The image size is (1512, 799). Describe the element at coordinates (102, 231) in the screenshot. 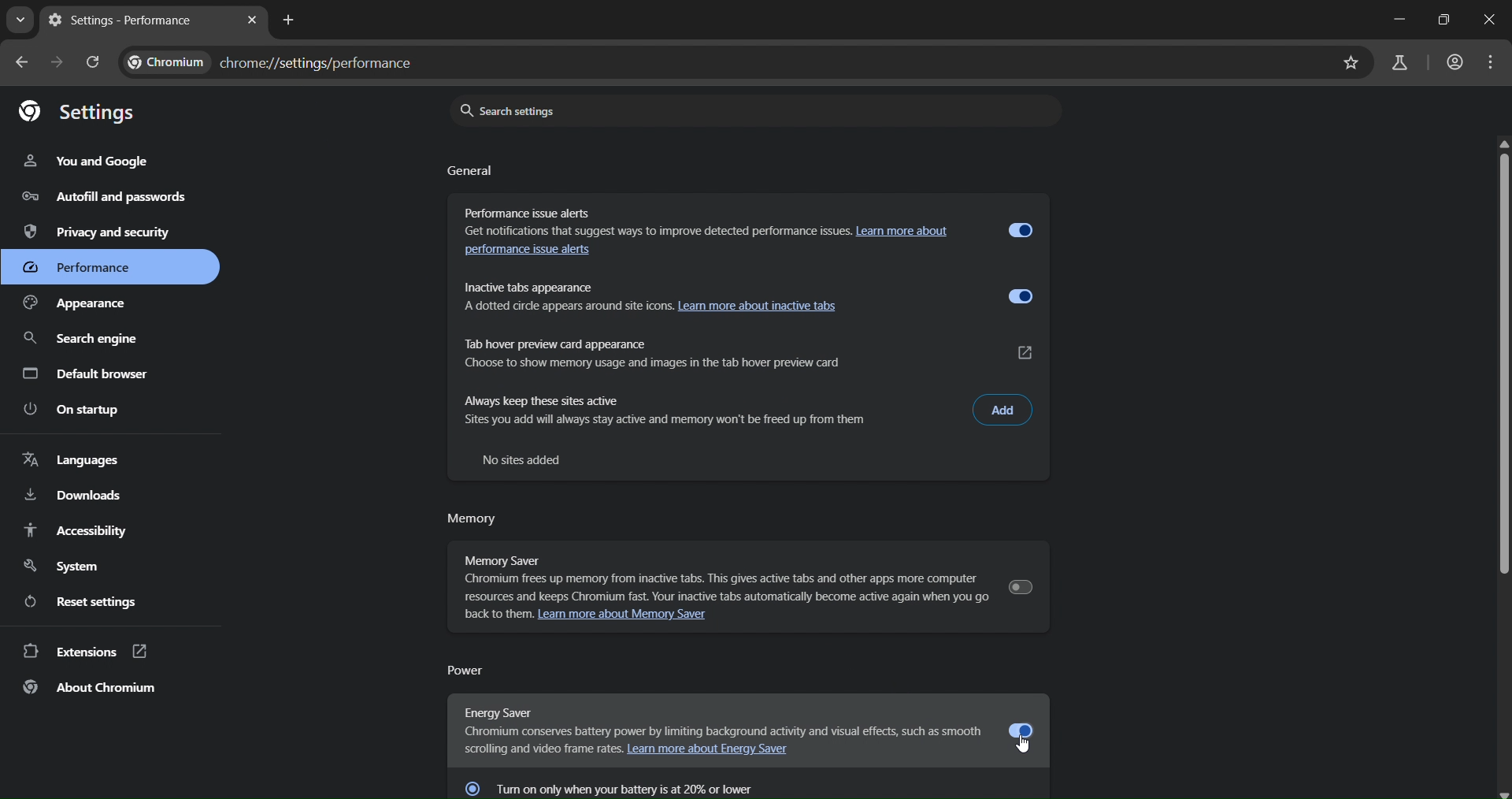

I see `privacy and security` at that location.